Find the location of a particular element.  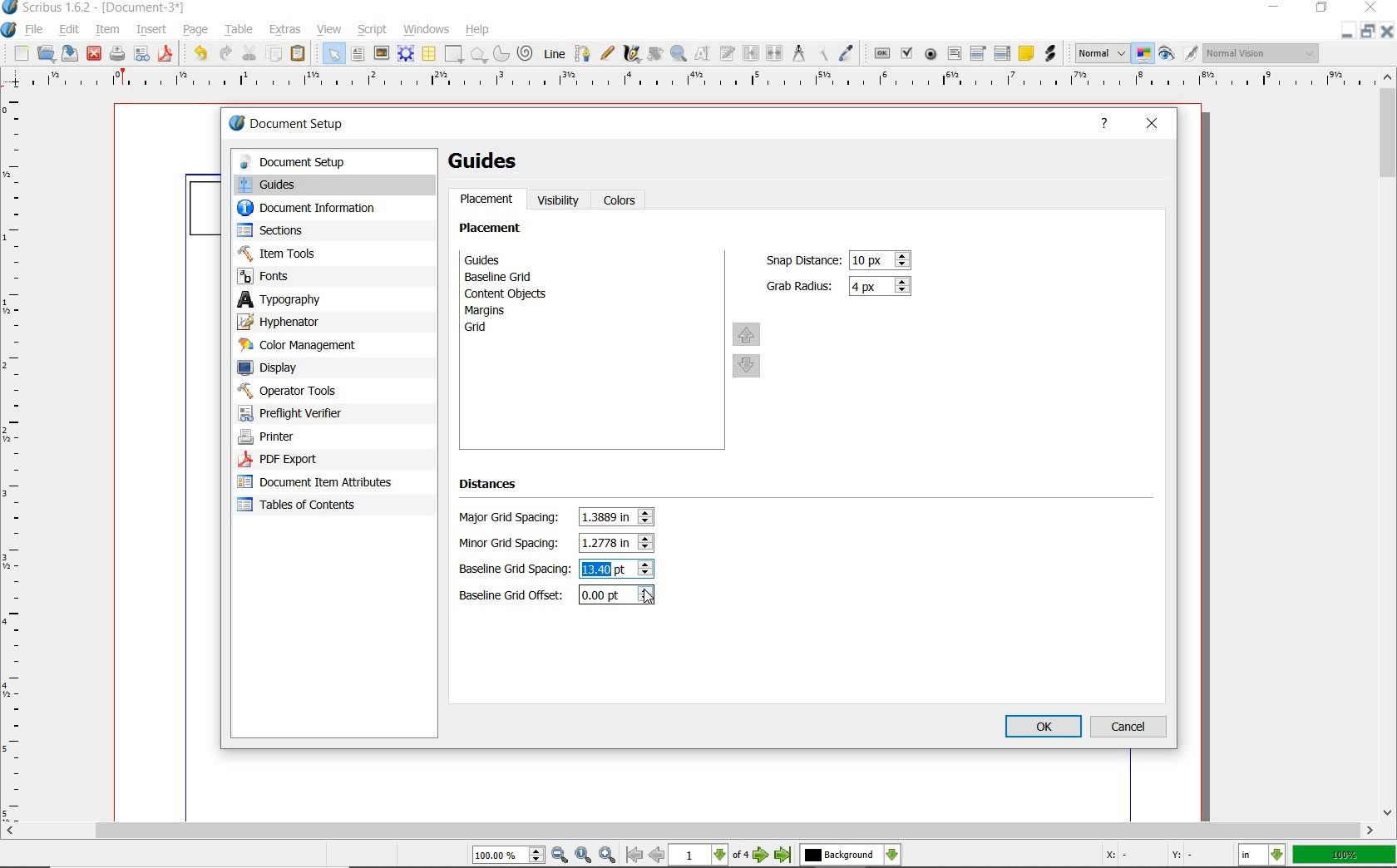

ruler is located at coordinates (692, 83).